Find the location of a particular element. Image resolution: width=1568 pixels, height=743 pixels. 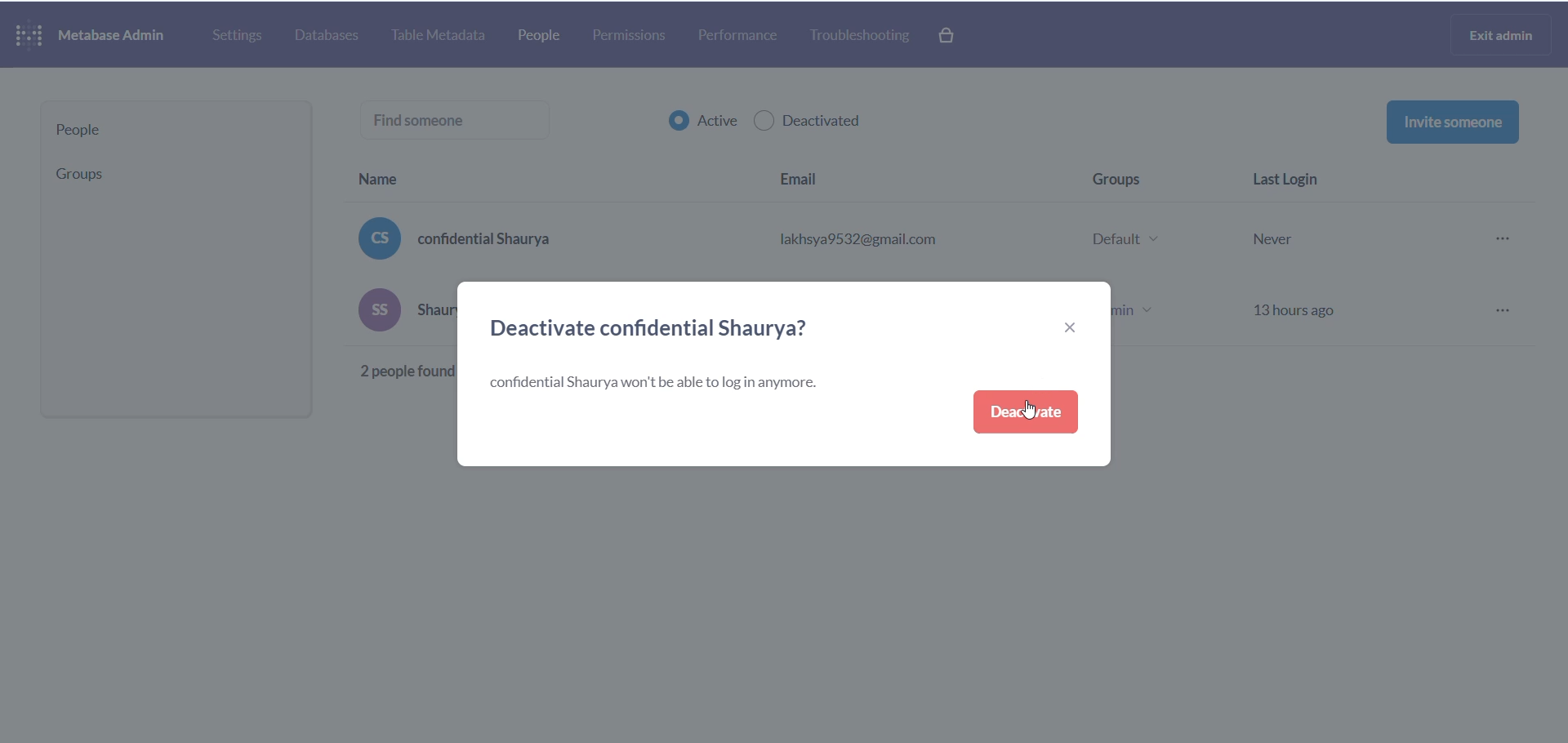

active checkbox is located at coordinates (700, 122).